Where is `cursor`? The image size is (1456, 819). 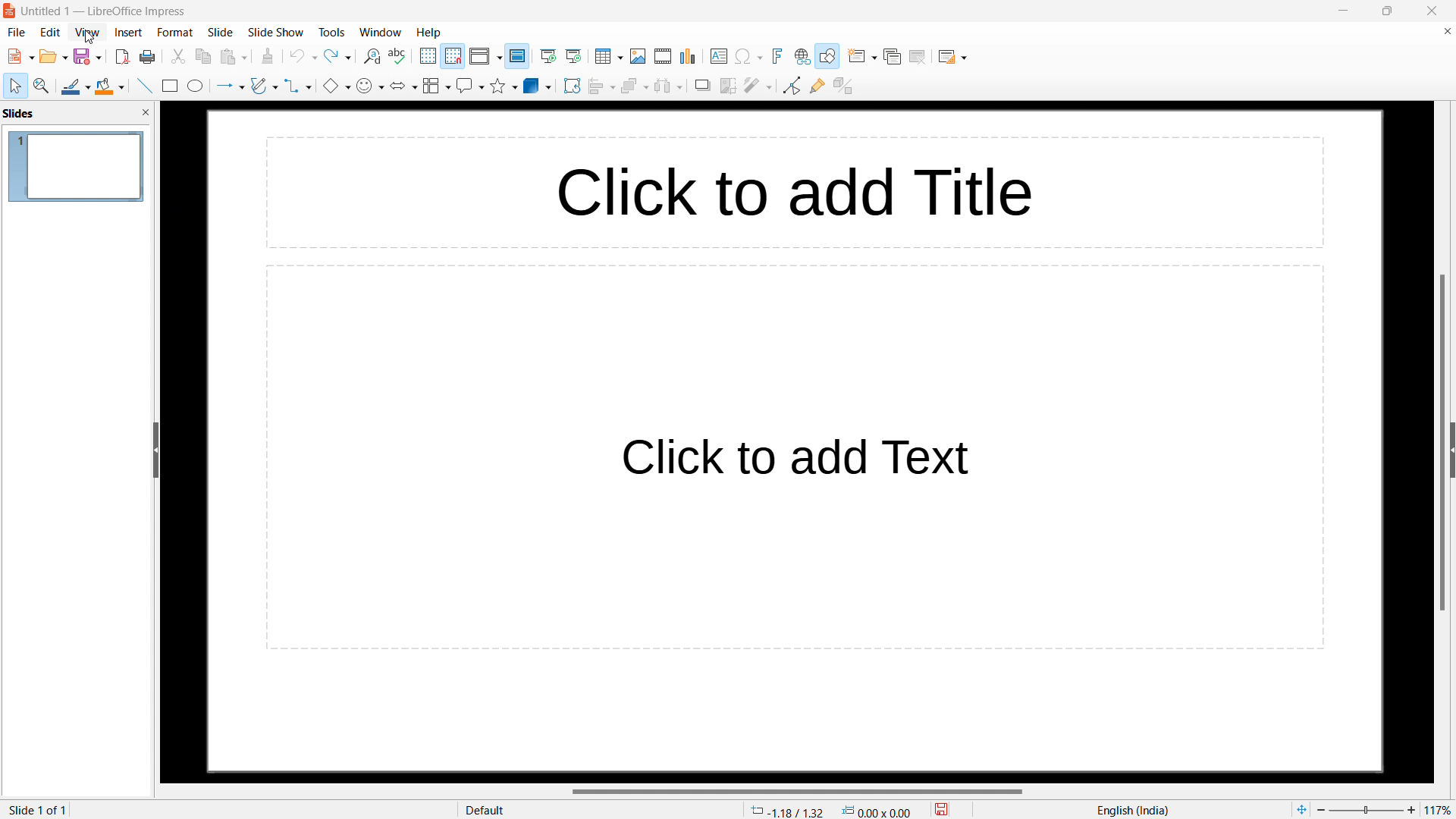 cursor is located at coordinates (90, 37).